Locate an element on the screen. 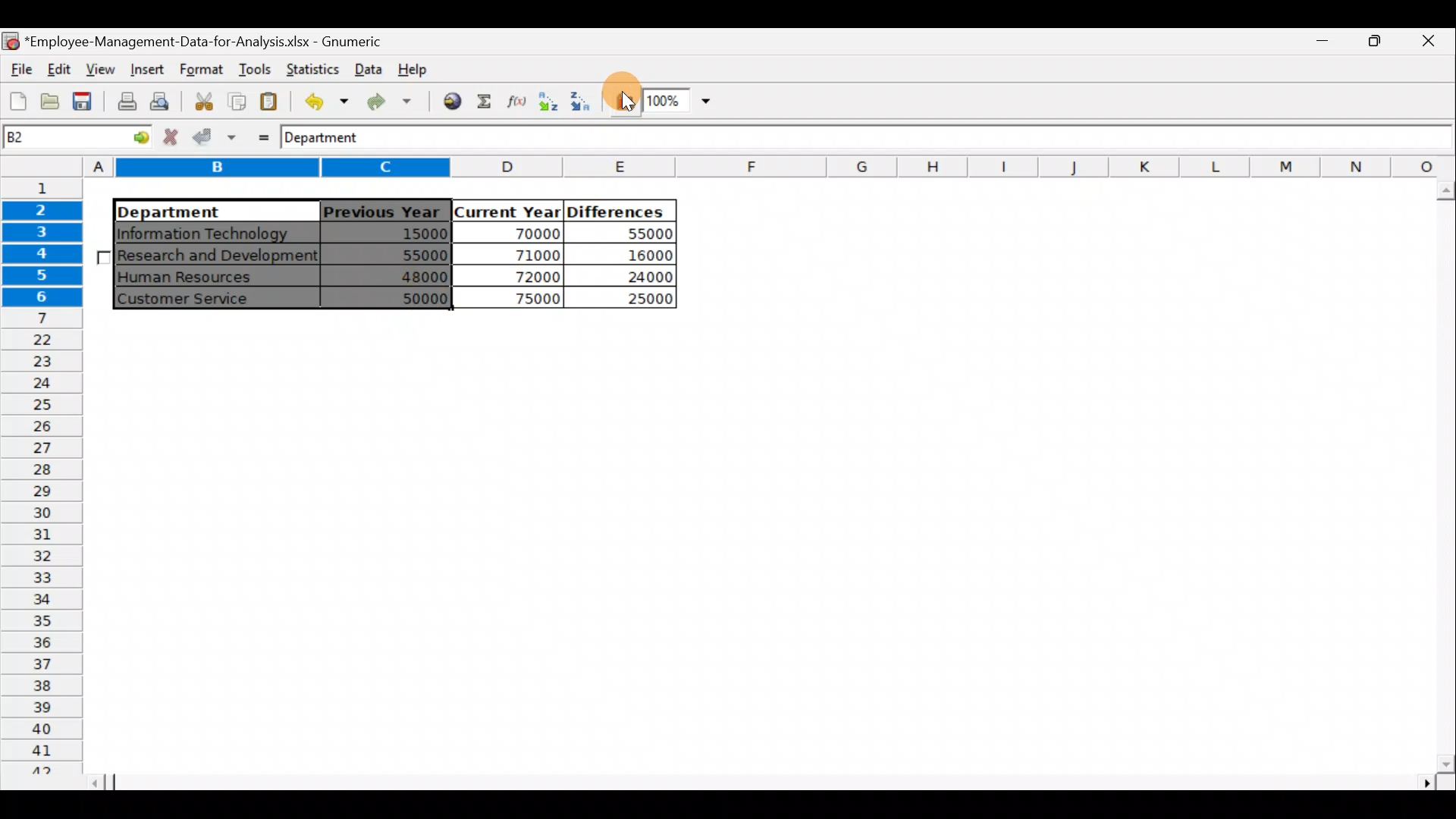 This screenshot has height=819, width=1456. Previous Year is located at coordinates (382, 209).